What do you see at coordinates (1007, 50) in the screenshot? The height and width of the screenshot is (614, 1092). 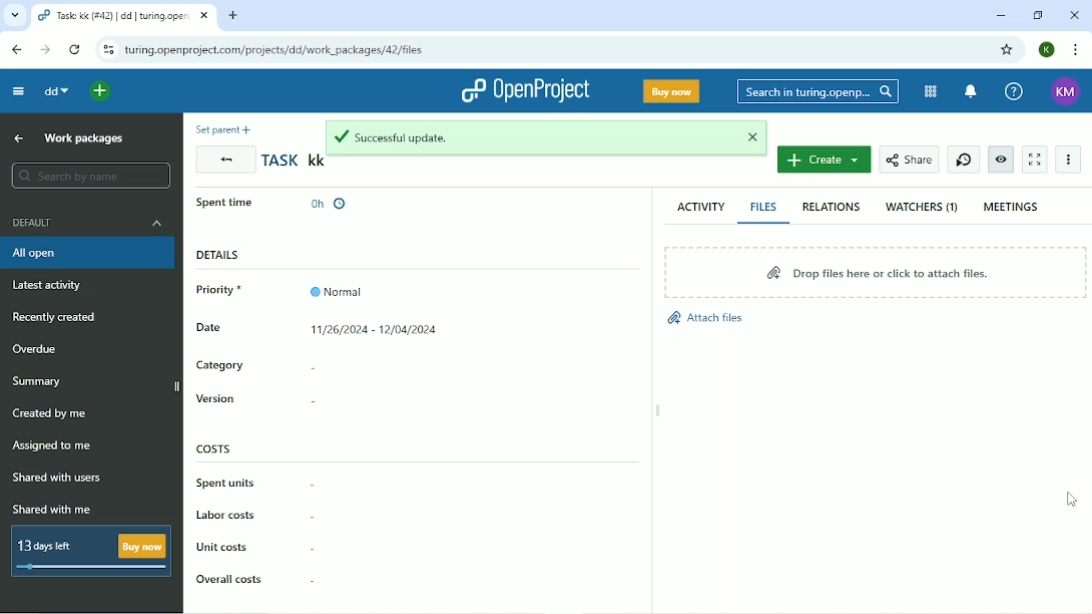 I see `Bookmark this tab` at bounding box center [1007, 50].